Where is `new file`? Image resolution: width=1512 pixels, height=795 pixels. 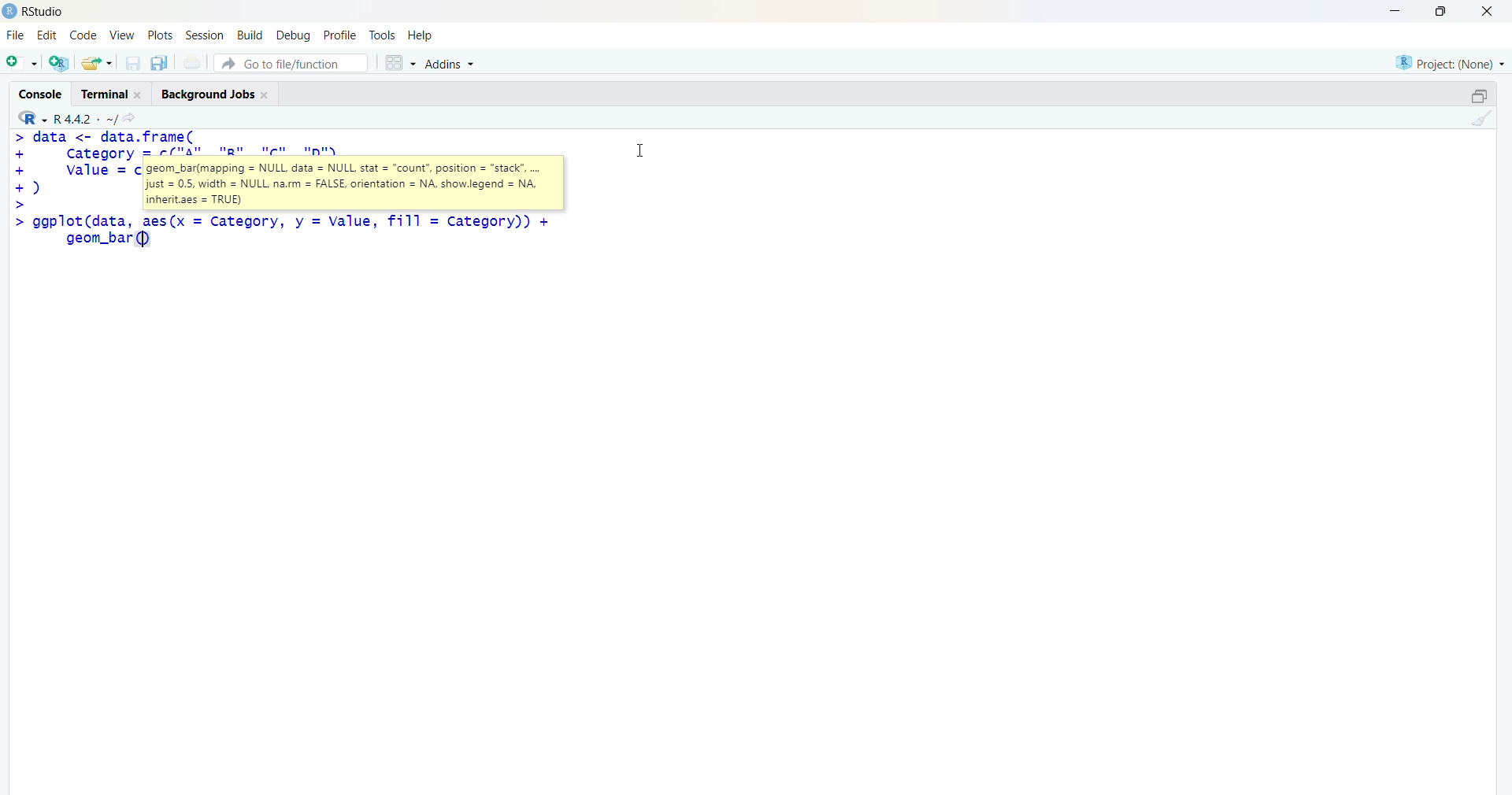
new file is located at coordinates (21, 61).